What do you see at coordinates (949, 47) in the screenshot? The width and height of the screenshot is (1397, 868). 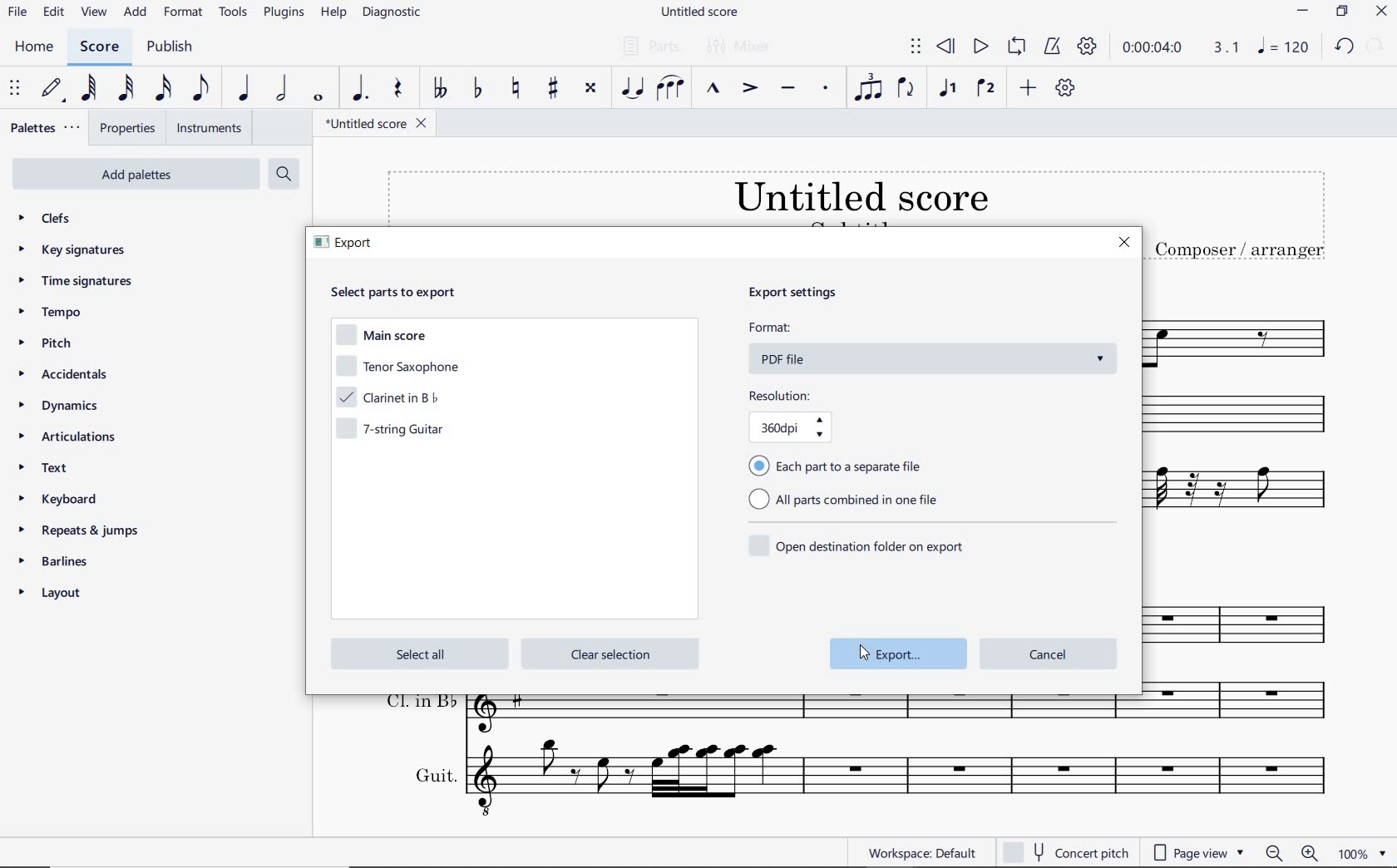 I see `REWIND` at bounding box center [949, 47].